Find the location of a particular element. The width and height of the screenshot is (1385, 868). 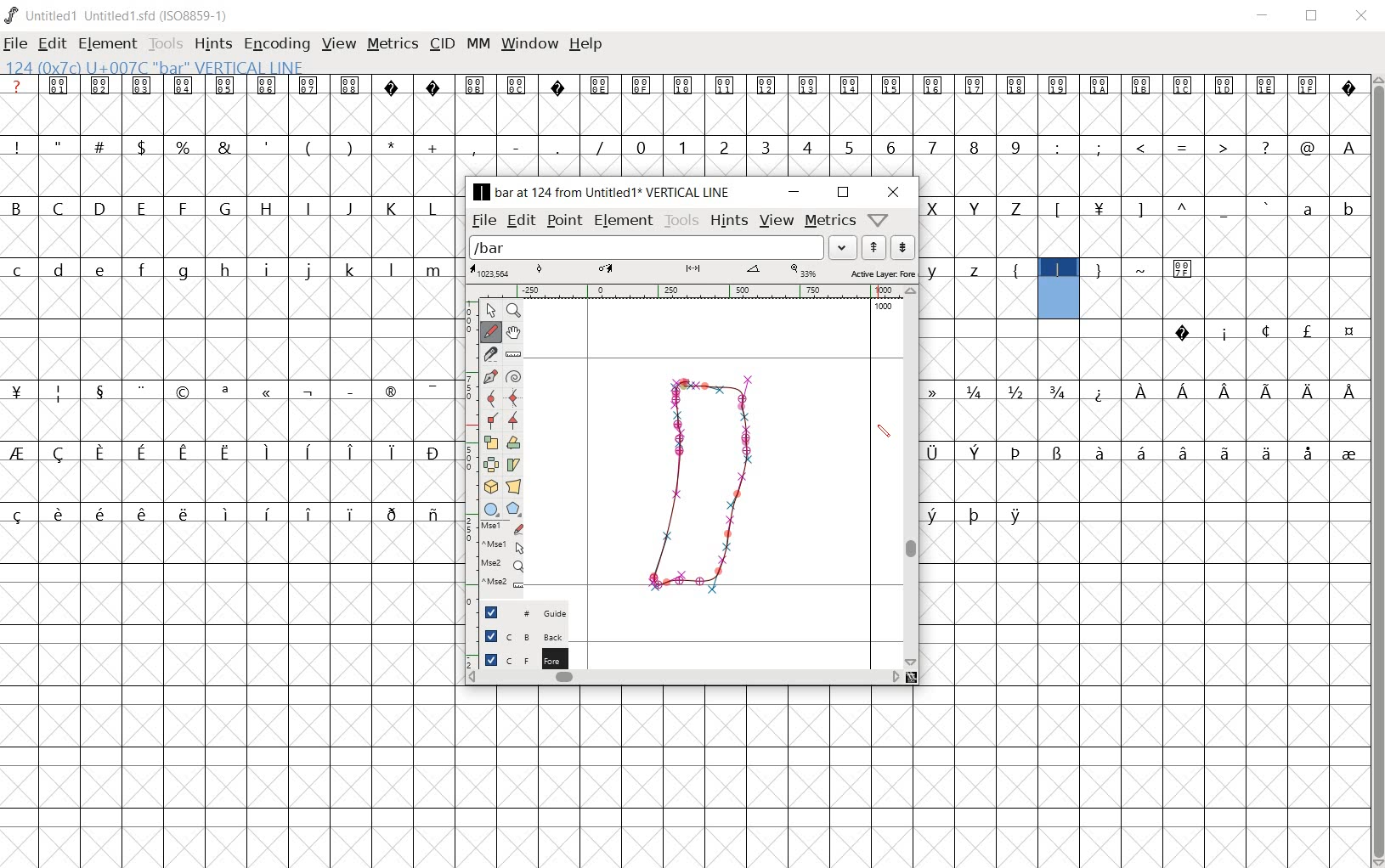

restore down is located at coordinates (1313, 16).